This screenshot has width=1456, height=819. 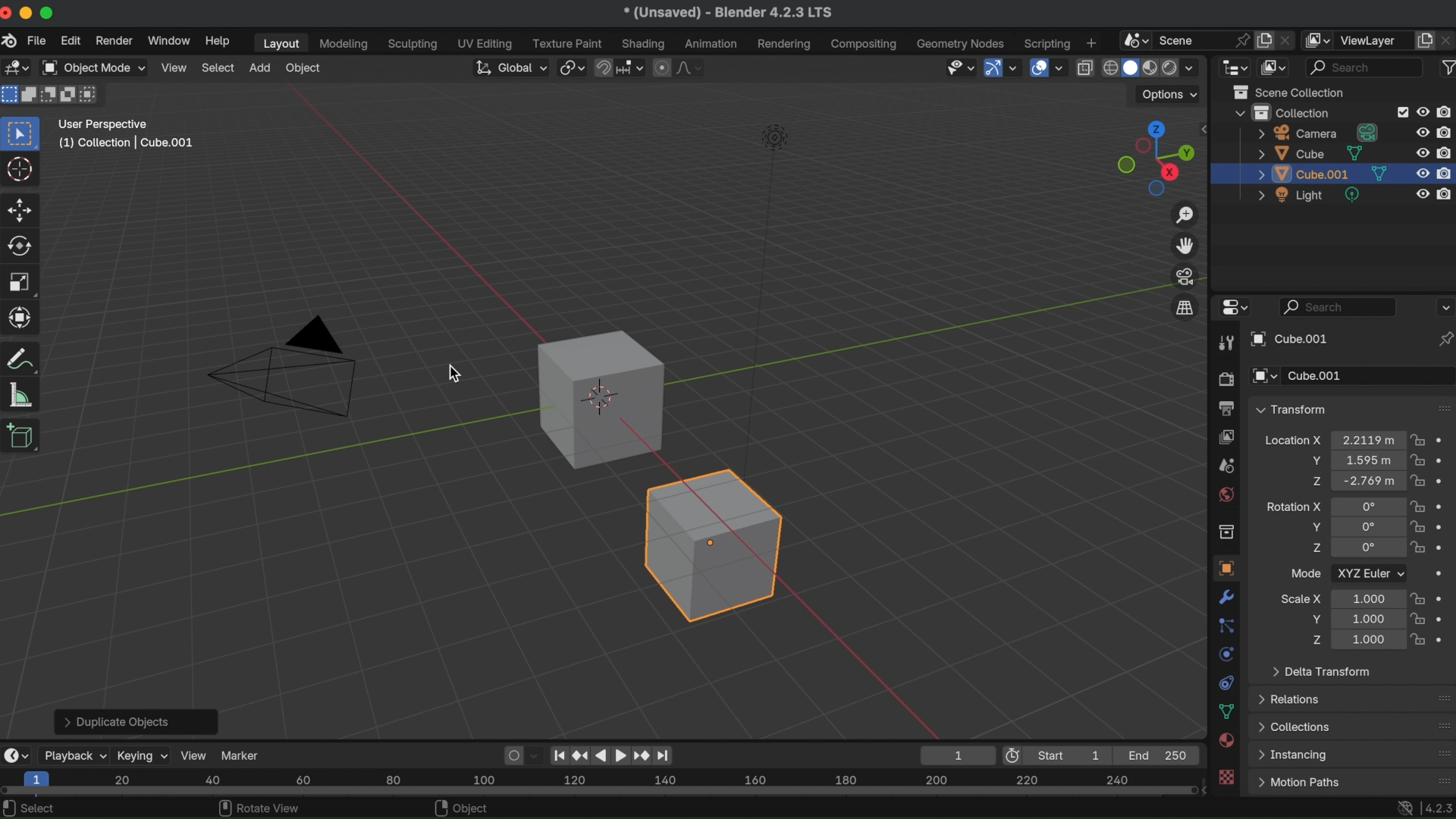 I want to click on animate property, so click(x=1444, y=526).